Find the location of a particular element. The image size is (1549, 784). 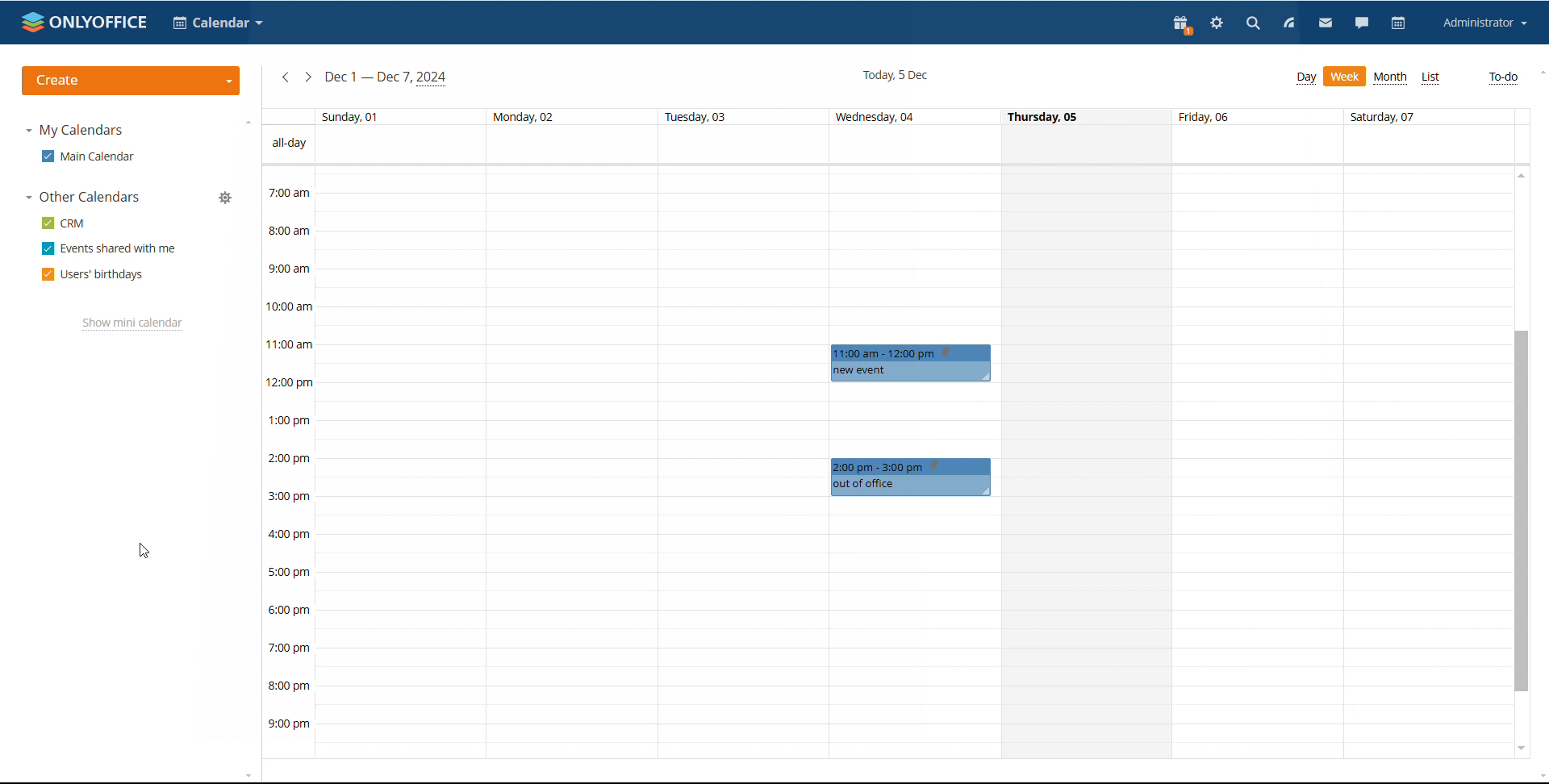

chat is located at coordinates (1362, 25).